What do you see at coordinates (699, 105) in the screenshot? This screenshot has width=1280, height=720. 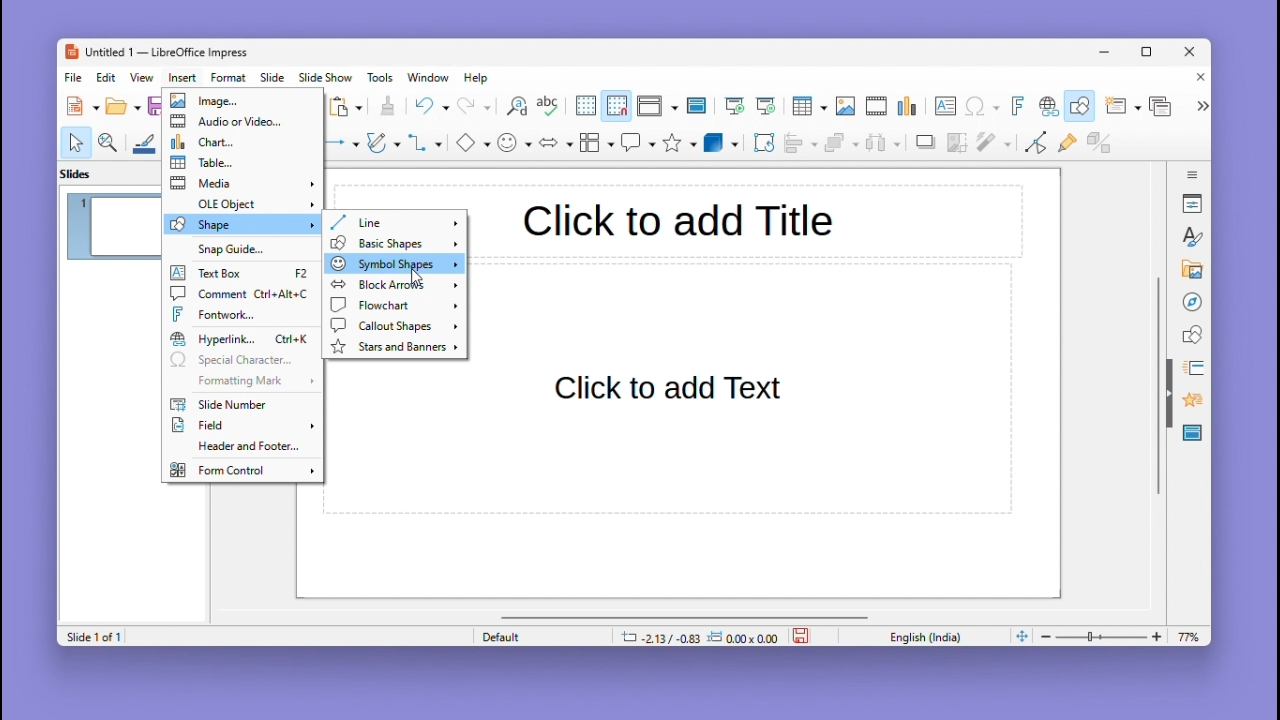 I see `Master slide` at bounding box center [699, 105].